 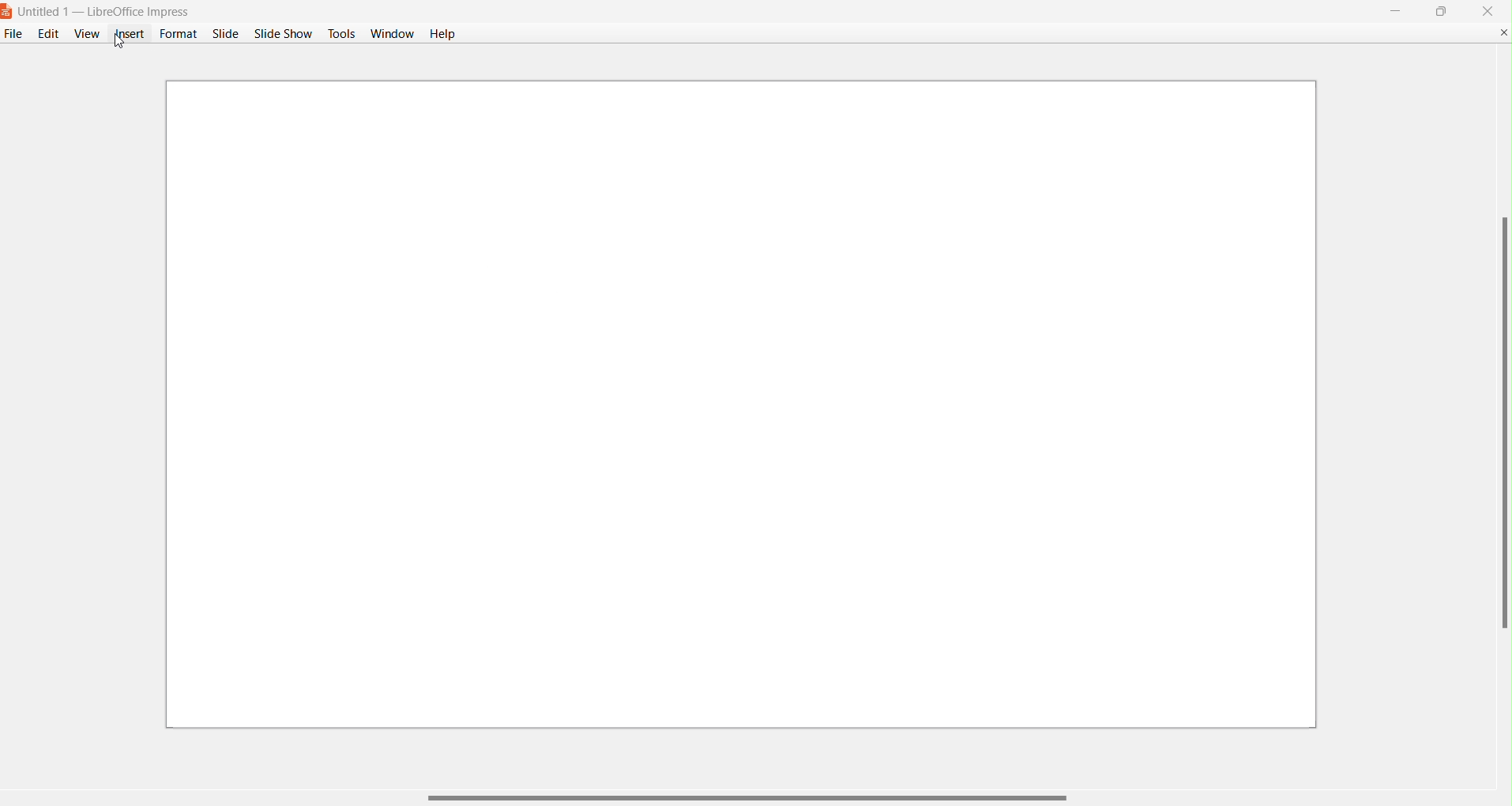 I want to click on Close Document, so click(x=1503, y=32).